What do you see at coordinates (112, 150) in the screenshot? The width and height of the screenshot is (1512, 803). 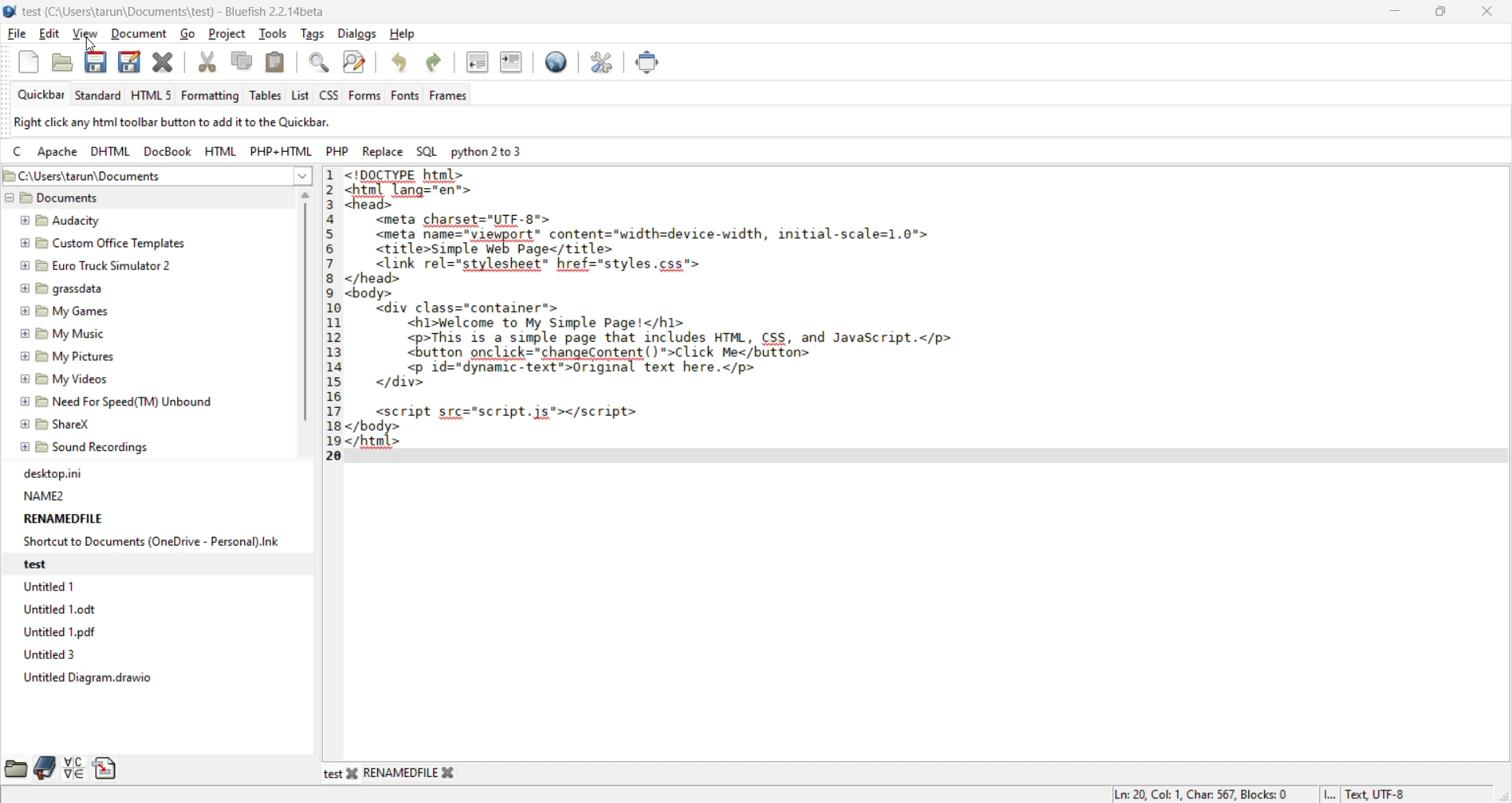 I see `dhtml` at bounding box center [112, 150].